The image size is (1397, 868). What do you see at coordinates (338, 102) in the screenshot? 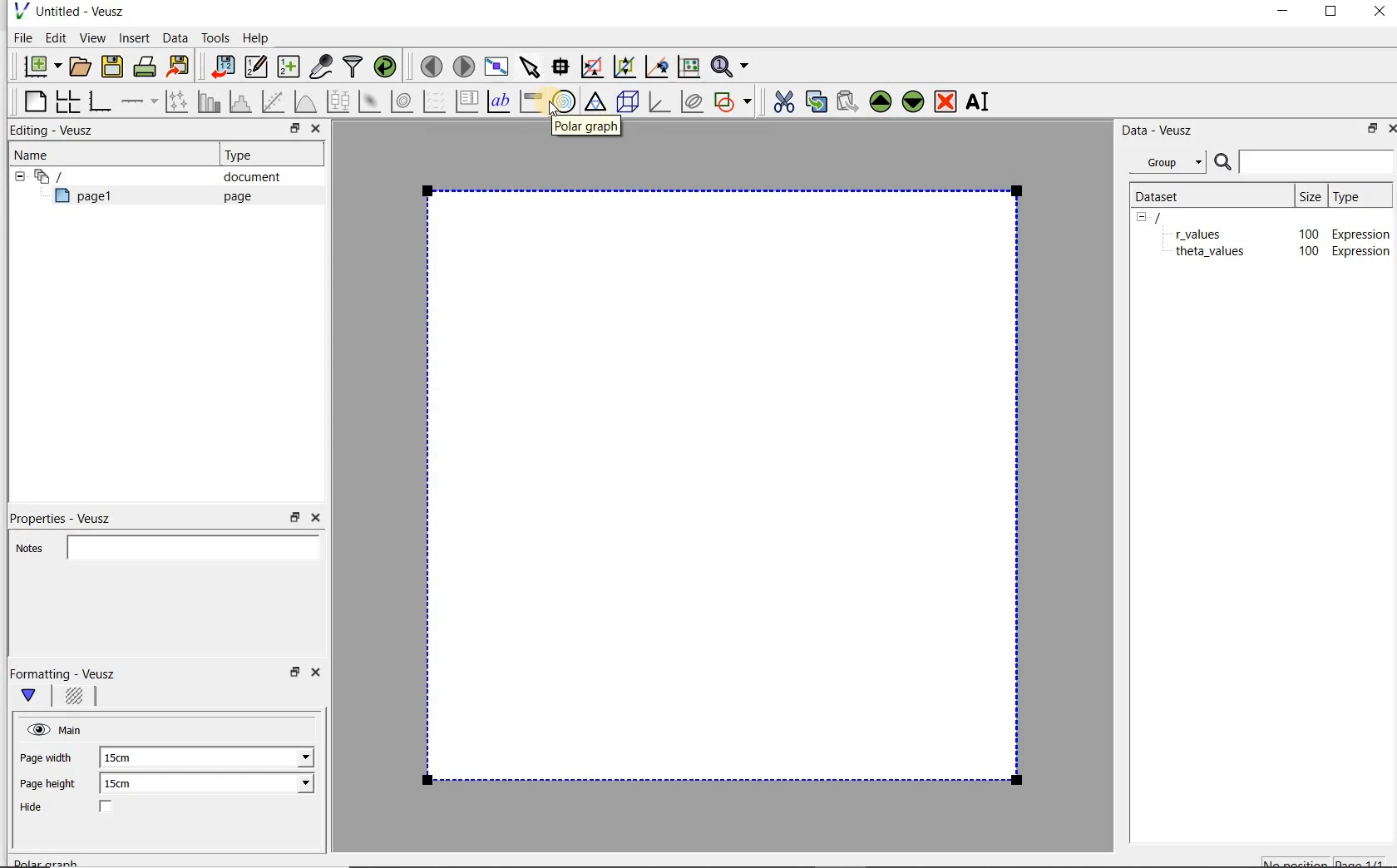
I see `plot box plots` at bounding box center [338, 102].